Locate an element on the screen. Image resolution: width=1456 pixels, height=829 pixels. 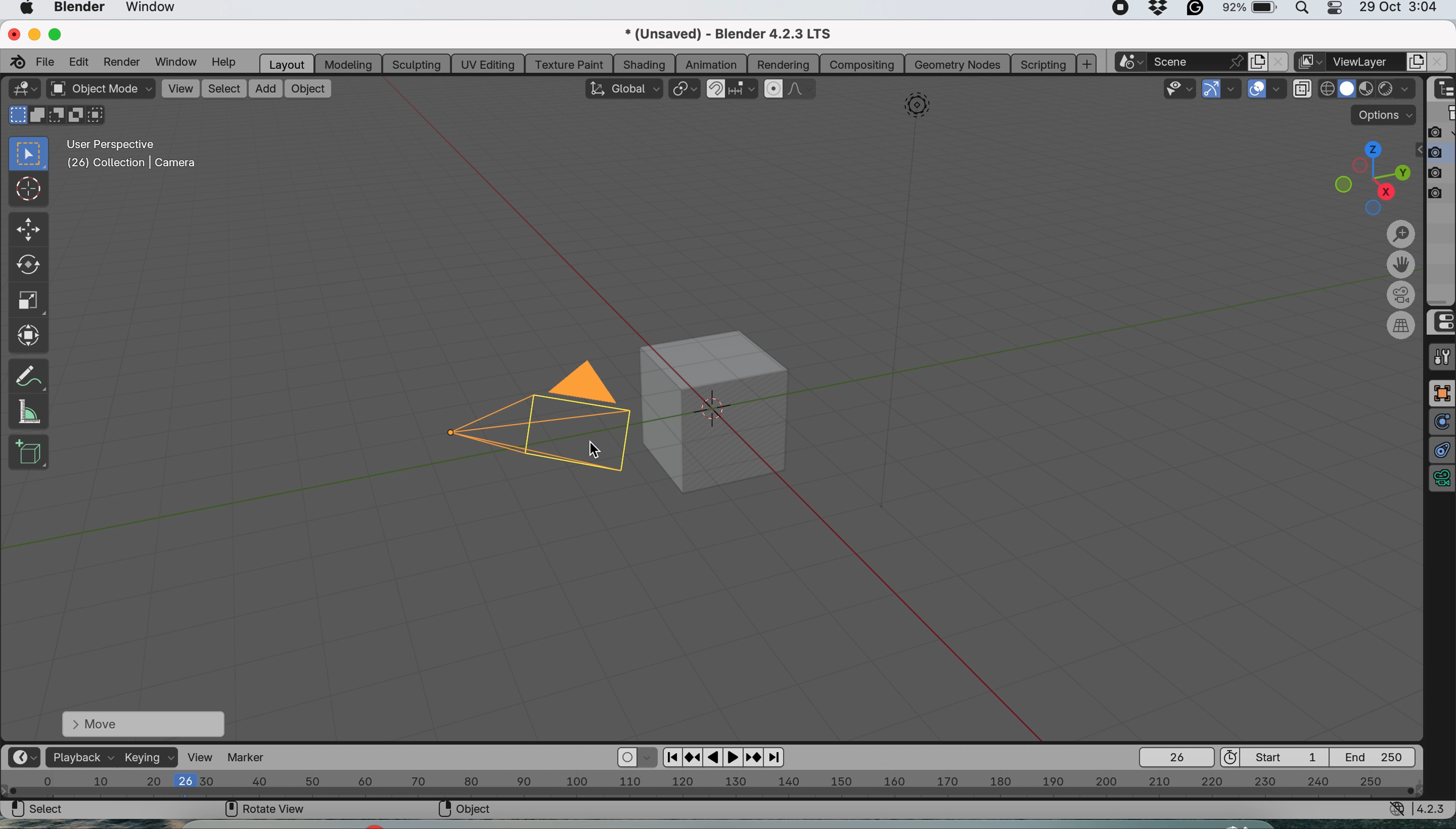
options is located at coordinates (1384, 114).